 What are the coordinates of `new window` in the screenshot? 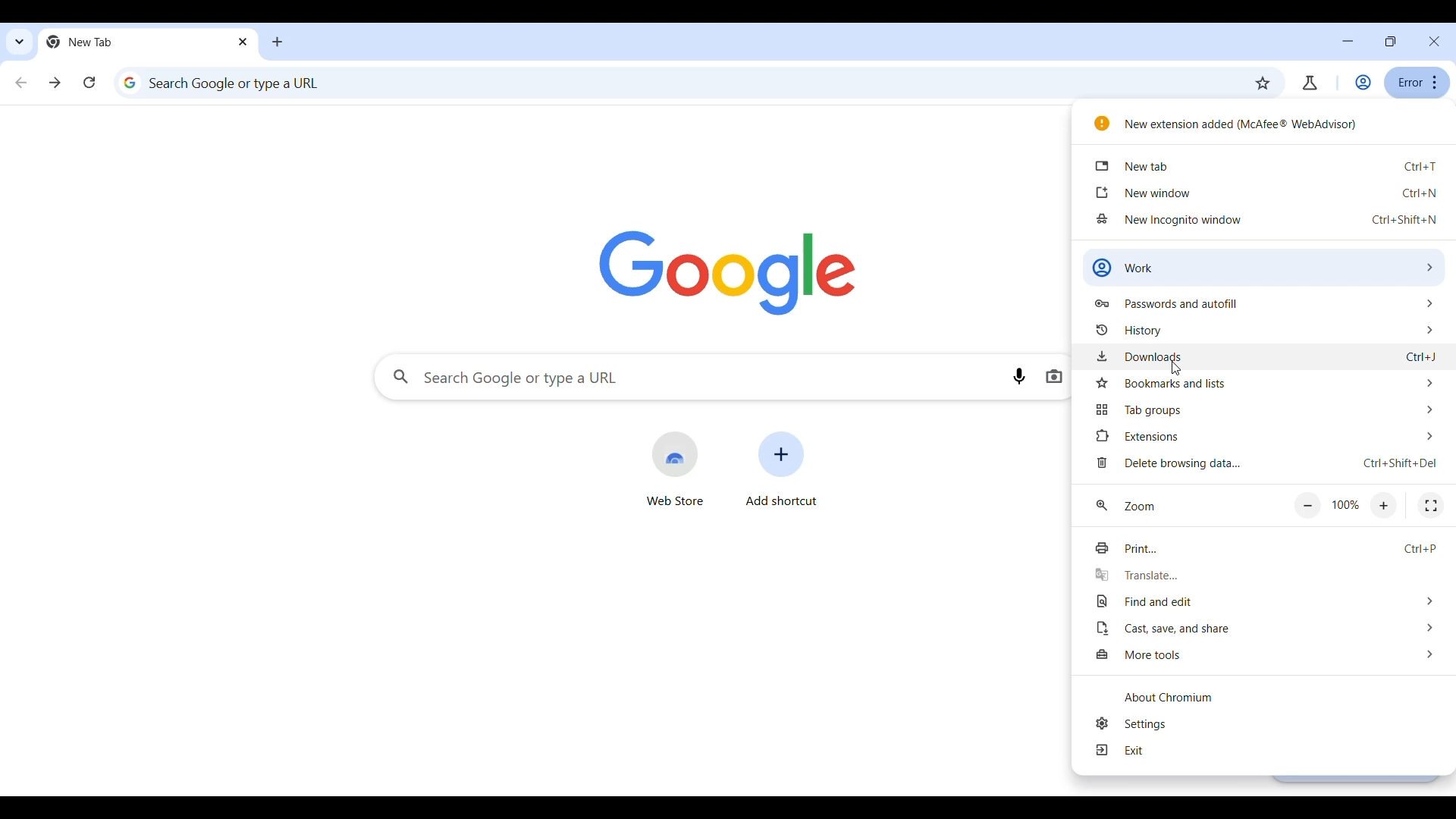 It's located at (1263, 193).